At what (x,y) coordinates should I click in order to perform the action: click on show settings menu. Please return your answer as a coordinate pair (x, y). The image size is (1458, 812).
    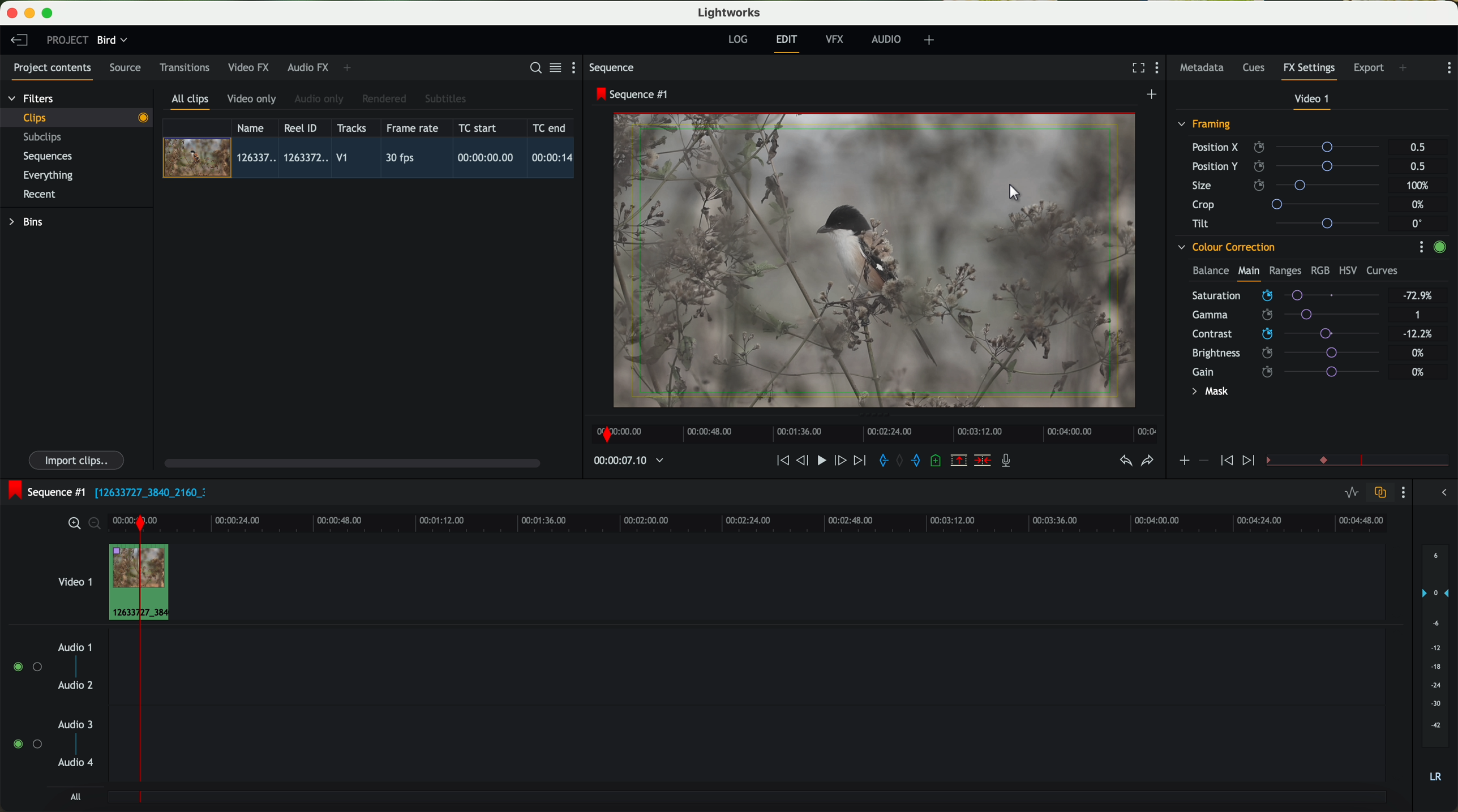
    Looking at the image, I should click on (1402, 492).